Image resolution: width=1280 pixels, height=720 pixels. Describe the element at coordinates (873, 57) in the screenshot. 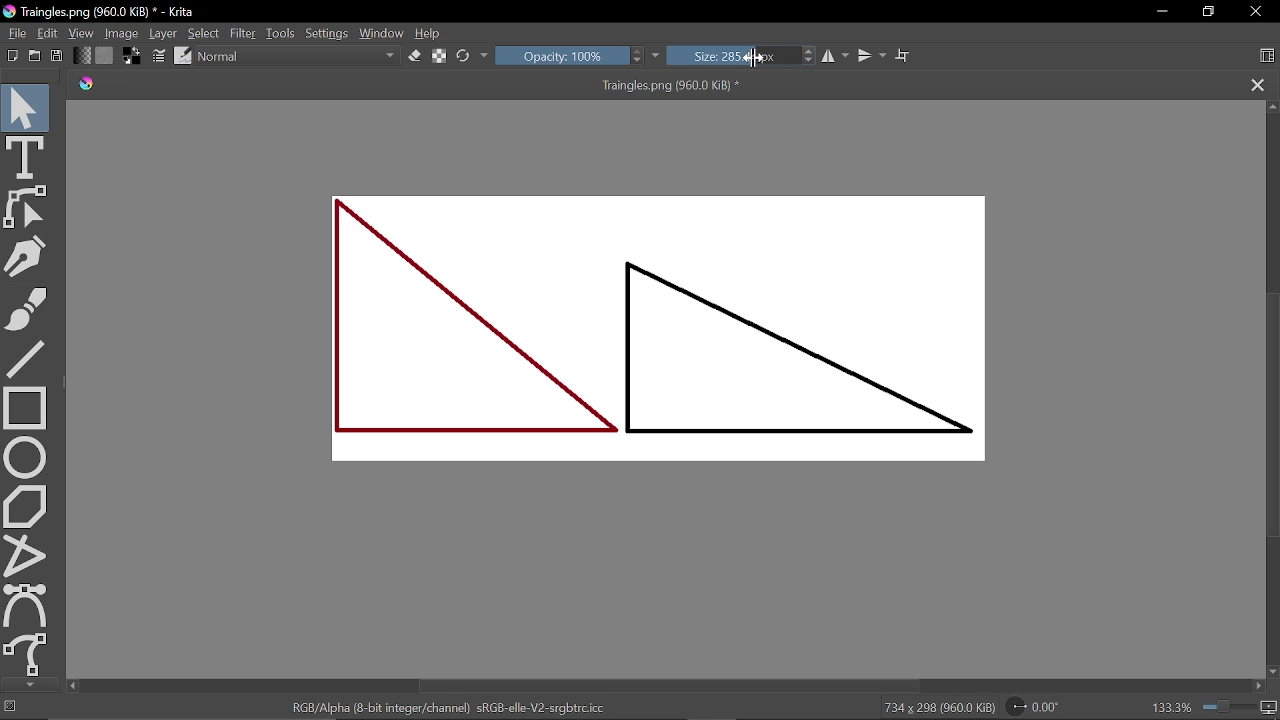

I see `Vertical mirror tool` at that location.